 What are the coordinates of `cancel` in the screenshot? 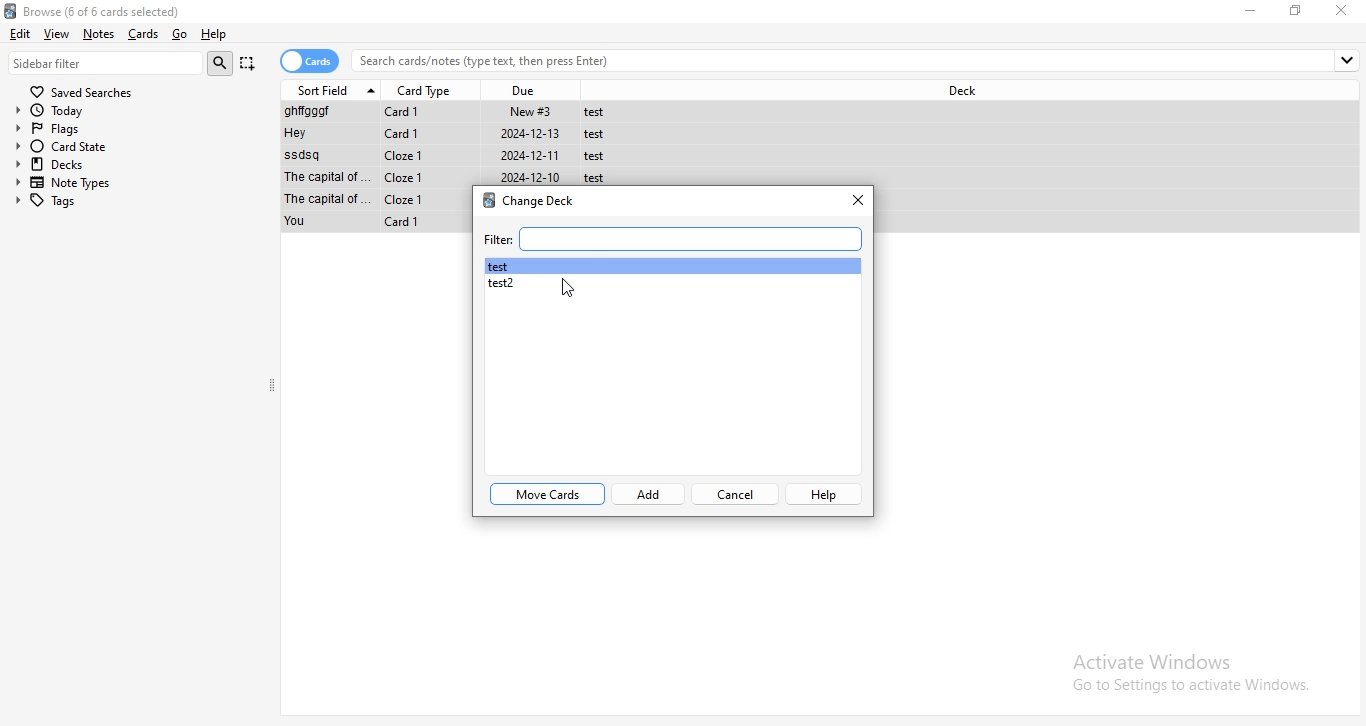 It's located at (735, 494).